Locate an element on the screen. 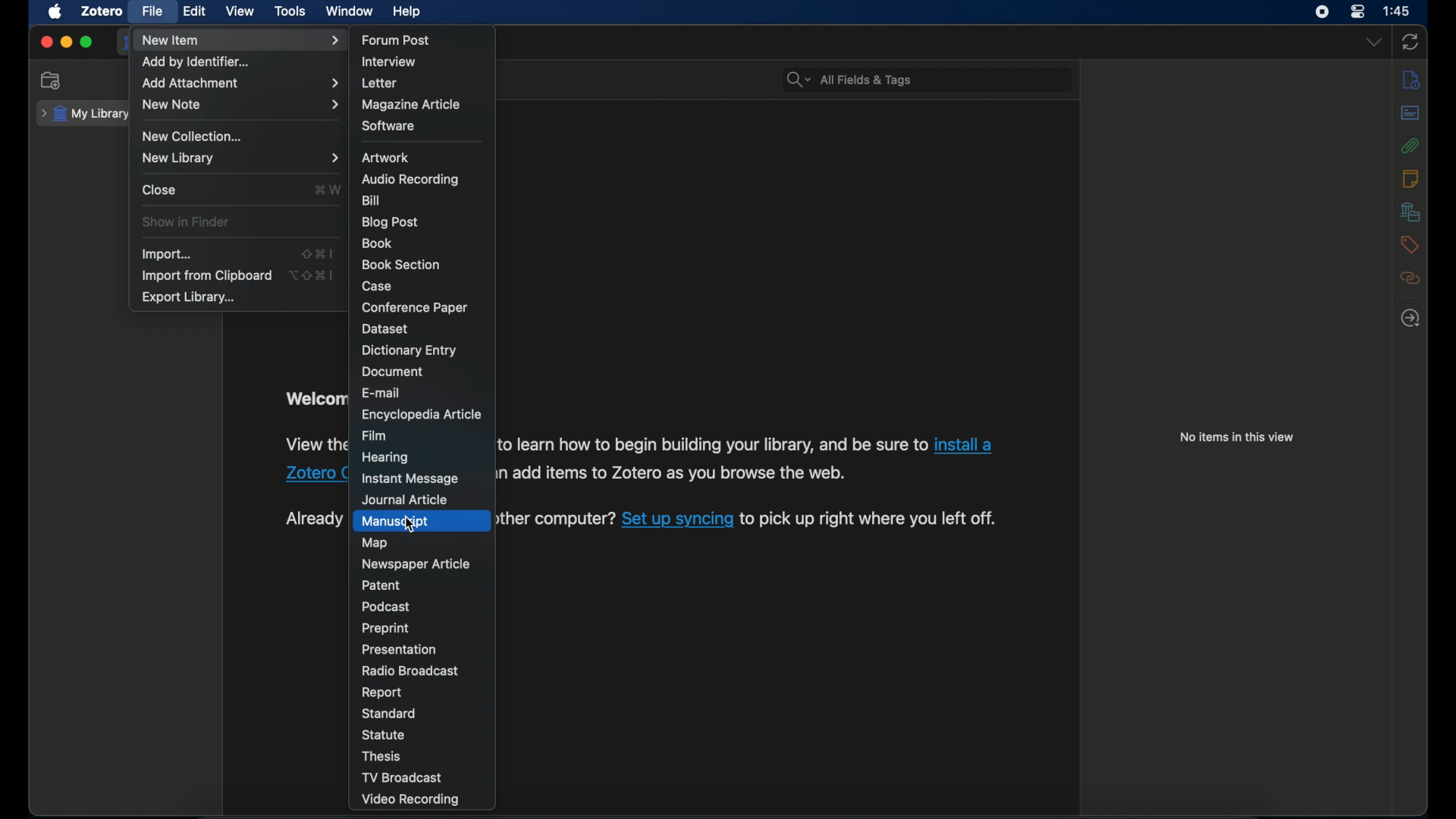 The image size is (1456, 819). thesis is located at coordinates (381, 757).